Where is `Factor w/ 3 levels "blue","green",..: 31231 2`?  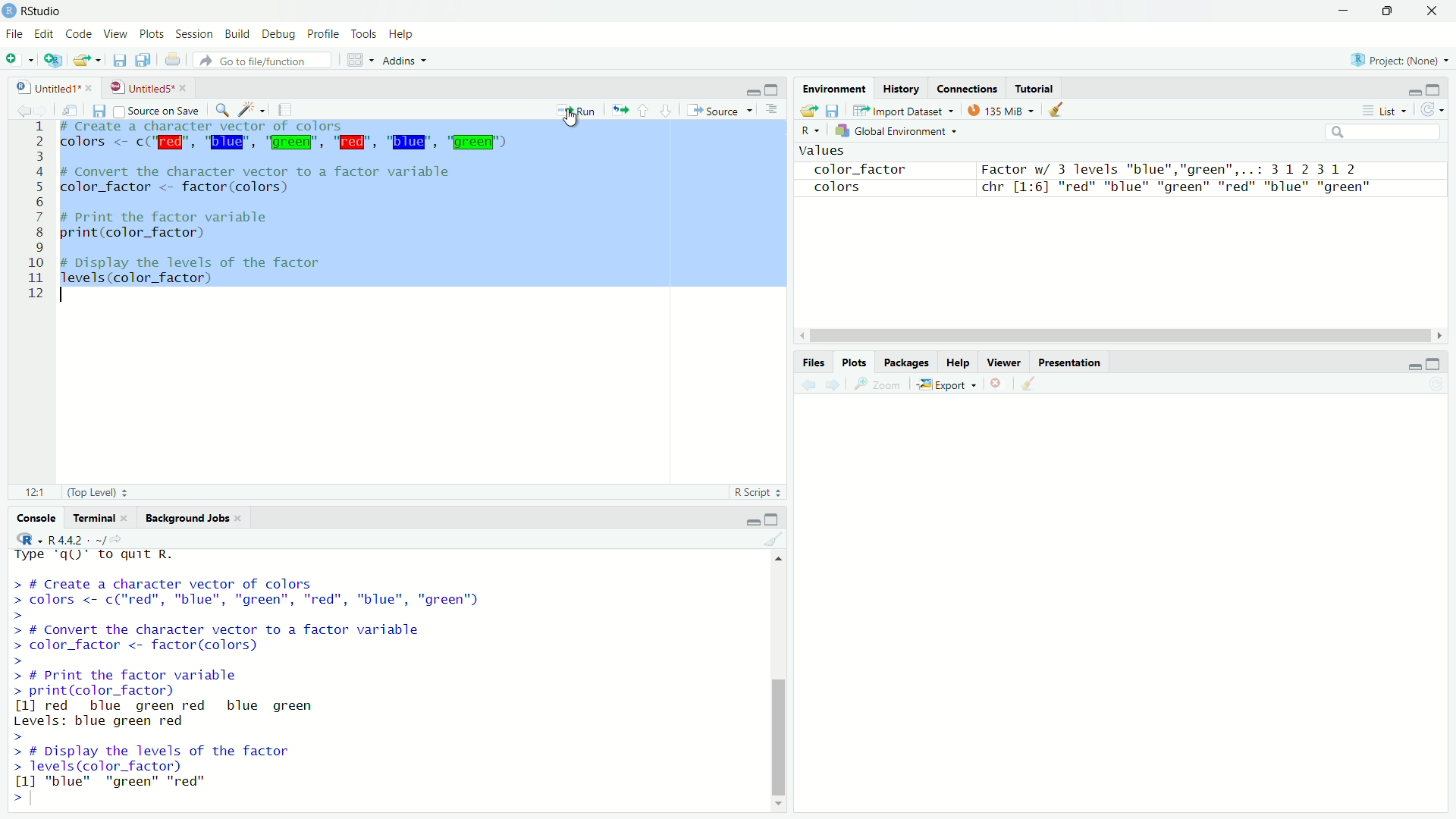
Factor w/ 3 levels "blue","green",..: 31231 2 is located at coordinates (1176, 165).